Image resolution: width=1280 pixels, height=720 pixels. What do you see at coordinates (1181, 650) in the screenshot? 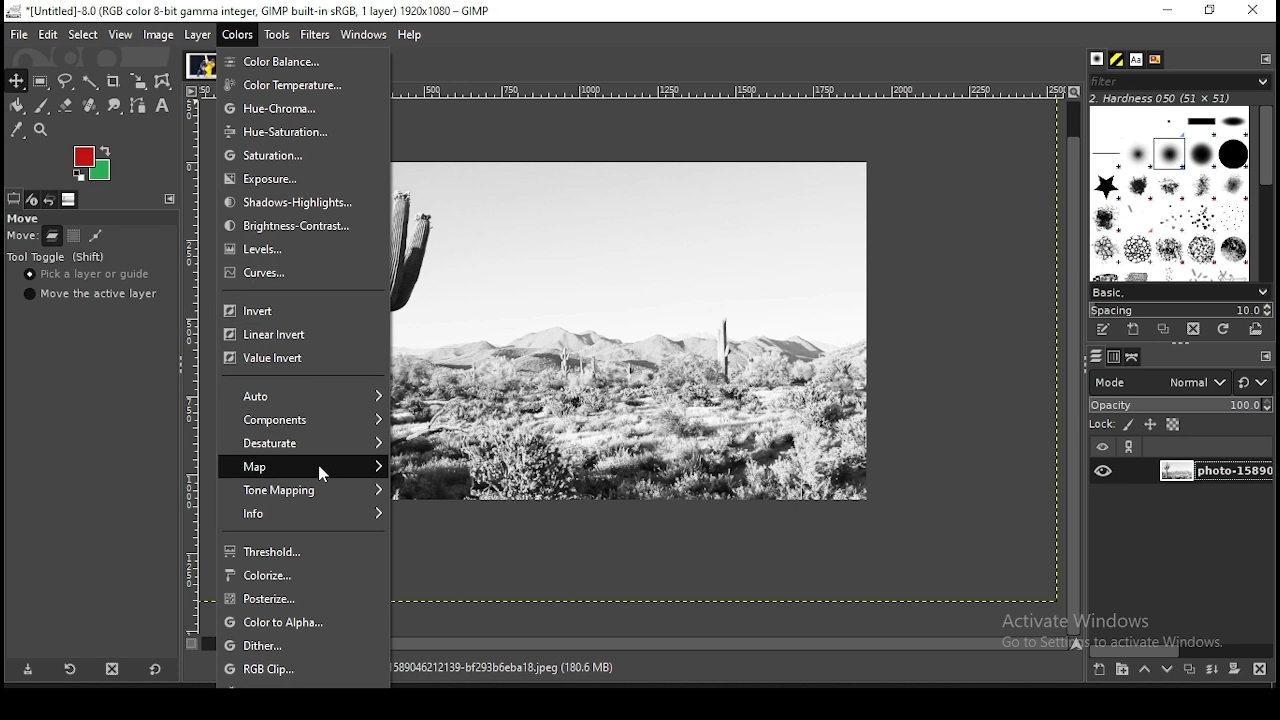
I see `scroll bar` at bounding box center [1181, 650].